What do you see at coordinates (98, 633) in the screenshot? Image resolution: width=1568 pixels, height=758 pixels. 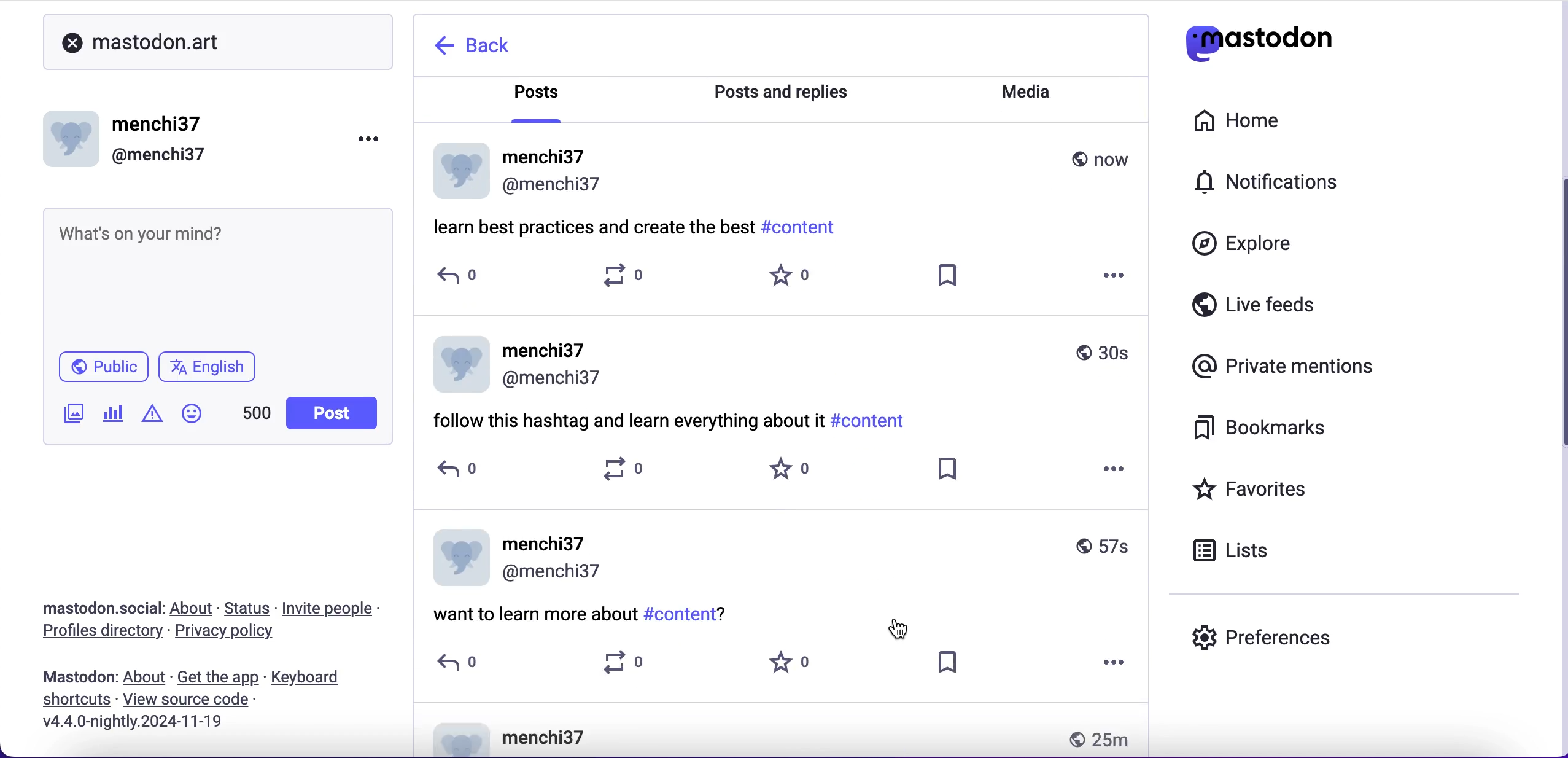 I see `profiles directory` at bounding box center [98, 633].